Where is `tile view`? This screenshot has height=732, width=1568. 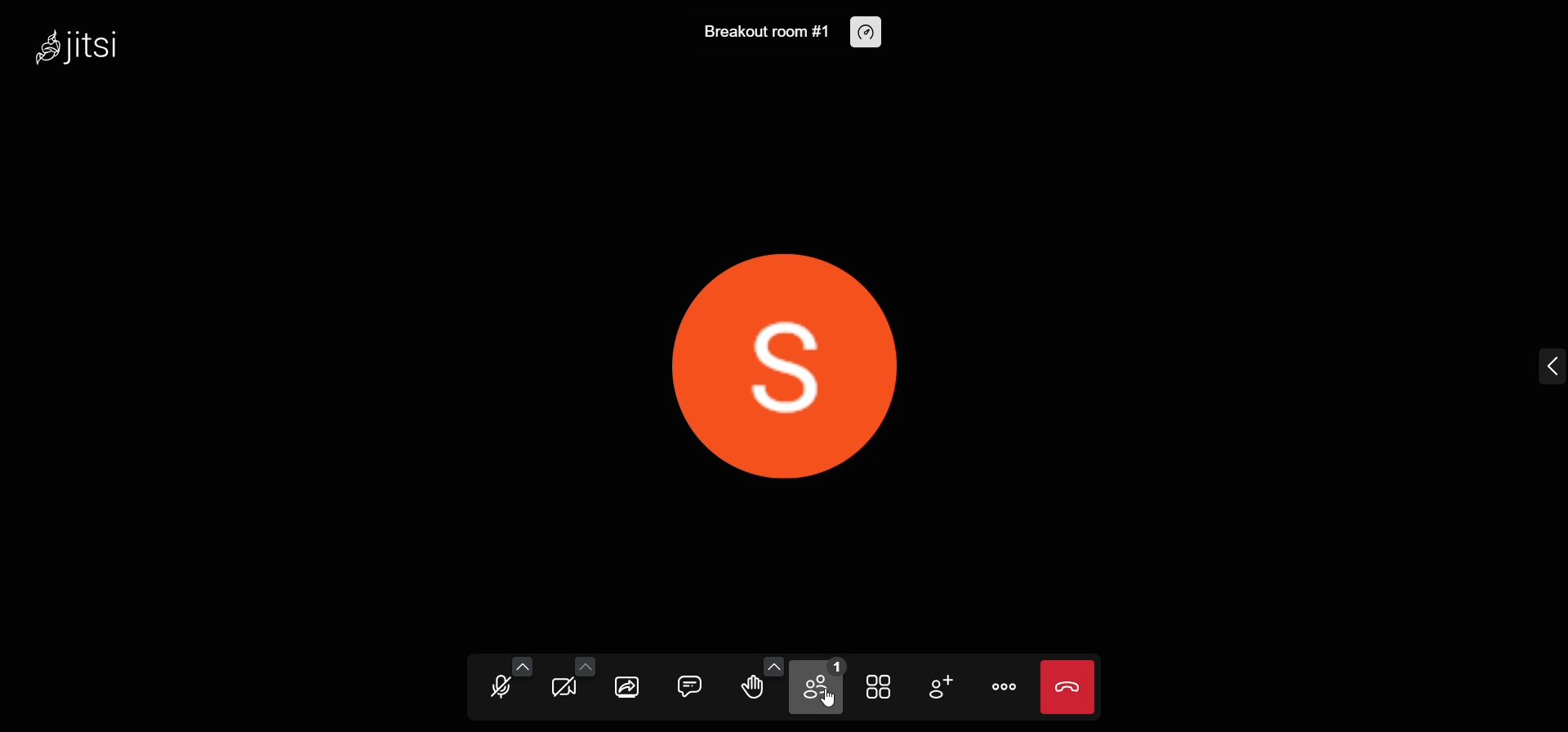 tile view is located at coordinates (878, 685).